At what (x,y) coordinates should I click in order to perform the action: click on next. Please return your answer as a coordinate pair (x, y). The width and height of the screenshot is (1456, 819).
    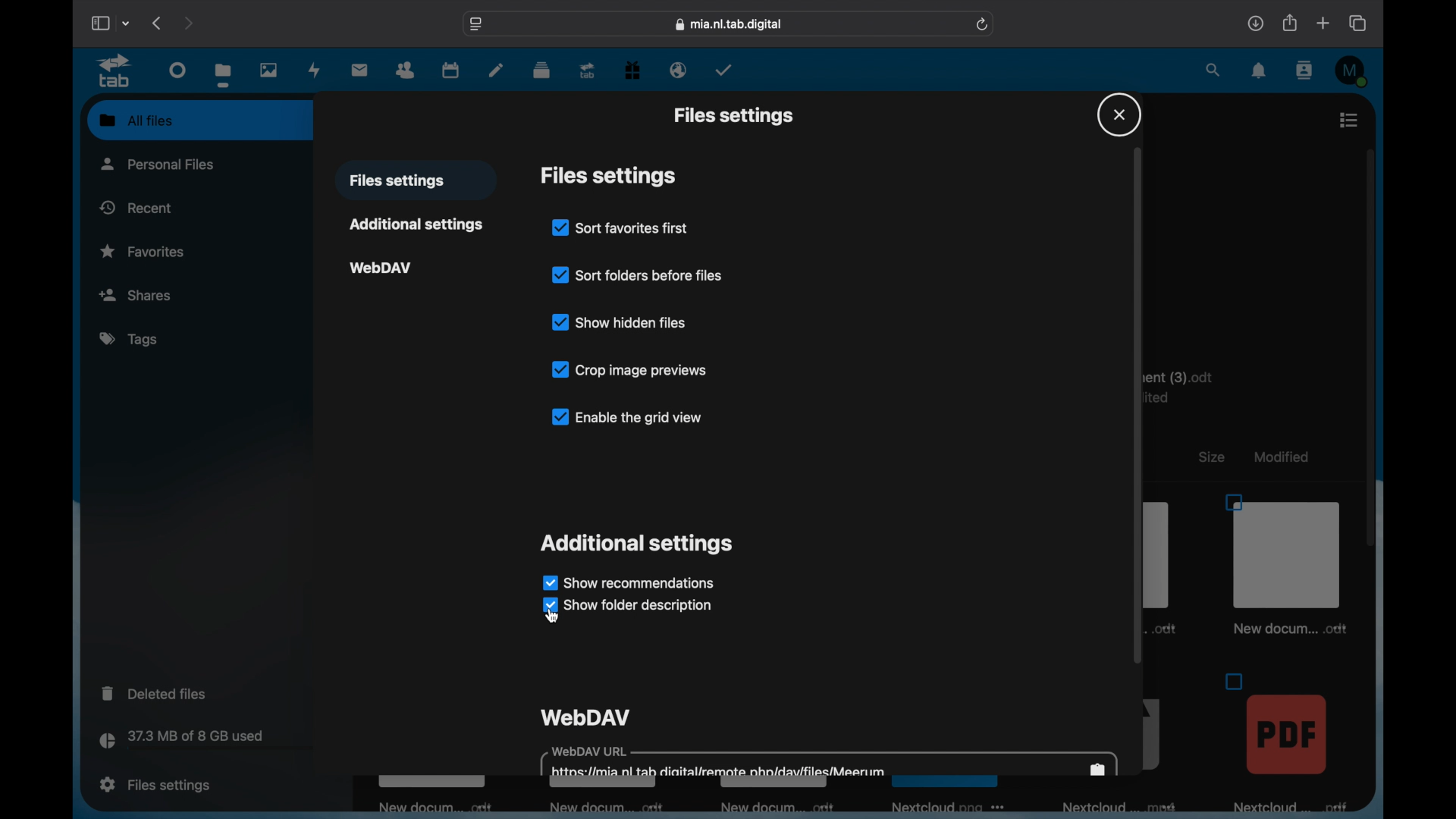
    Looking at the image, I should click on (188, 24).